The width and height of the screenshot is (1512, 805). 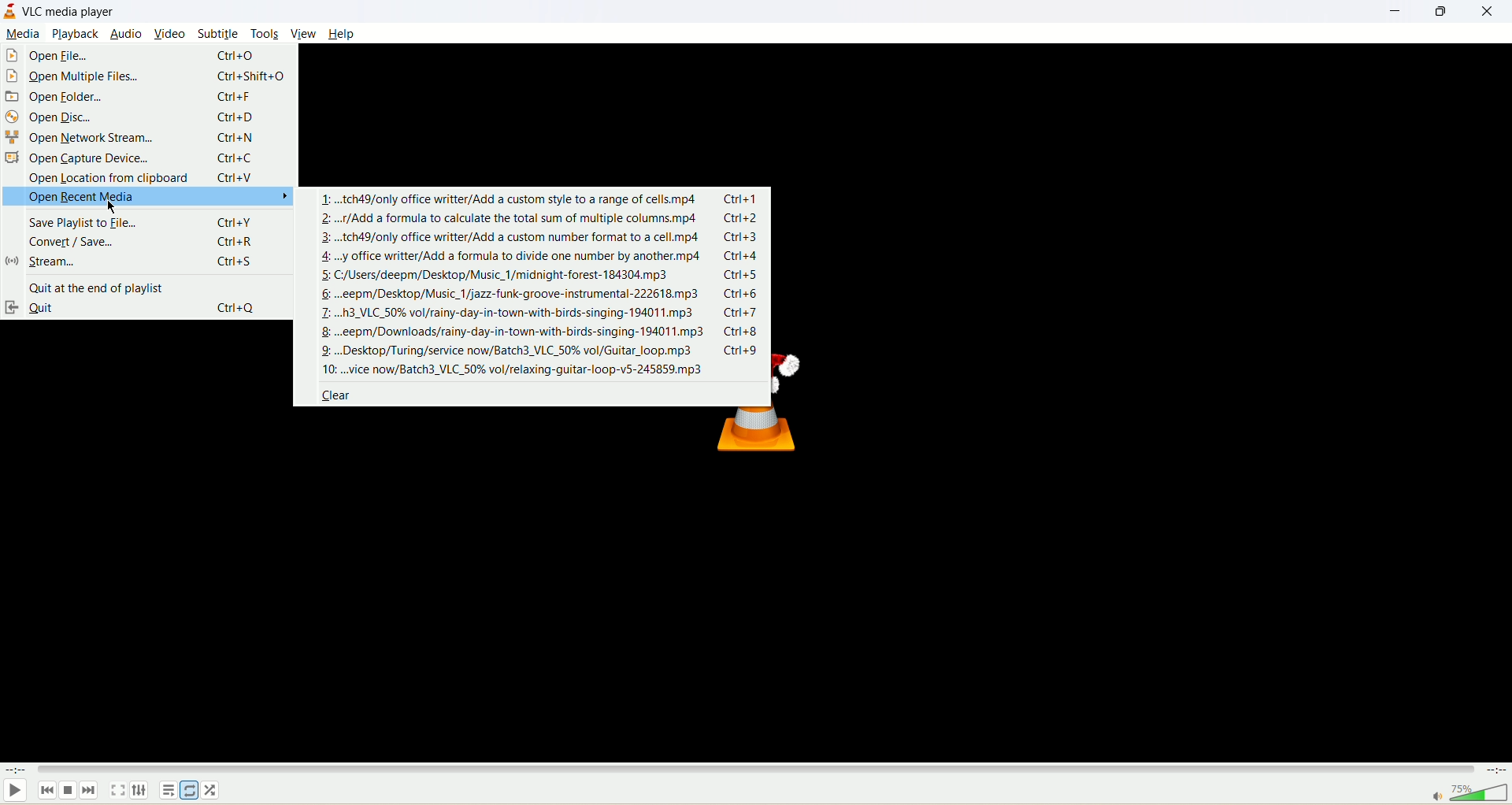 I want to click on logo, so click(x=10, y=11).